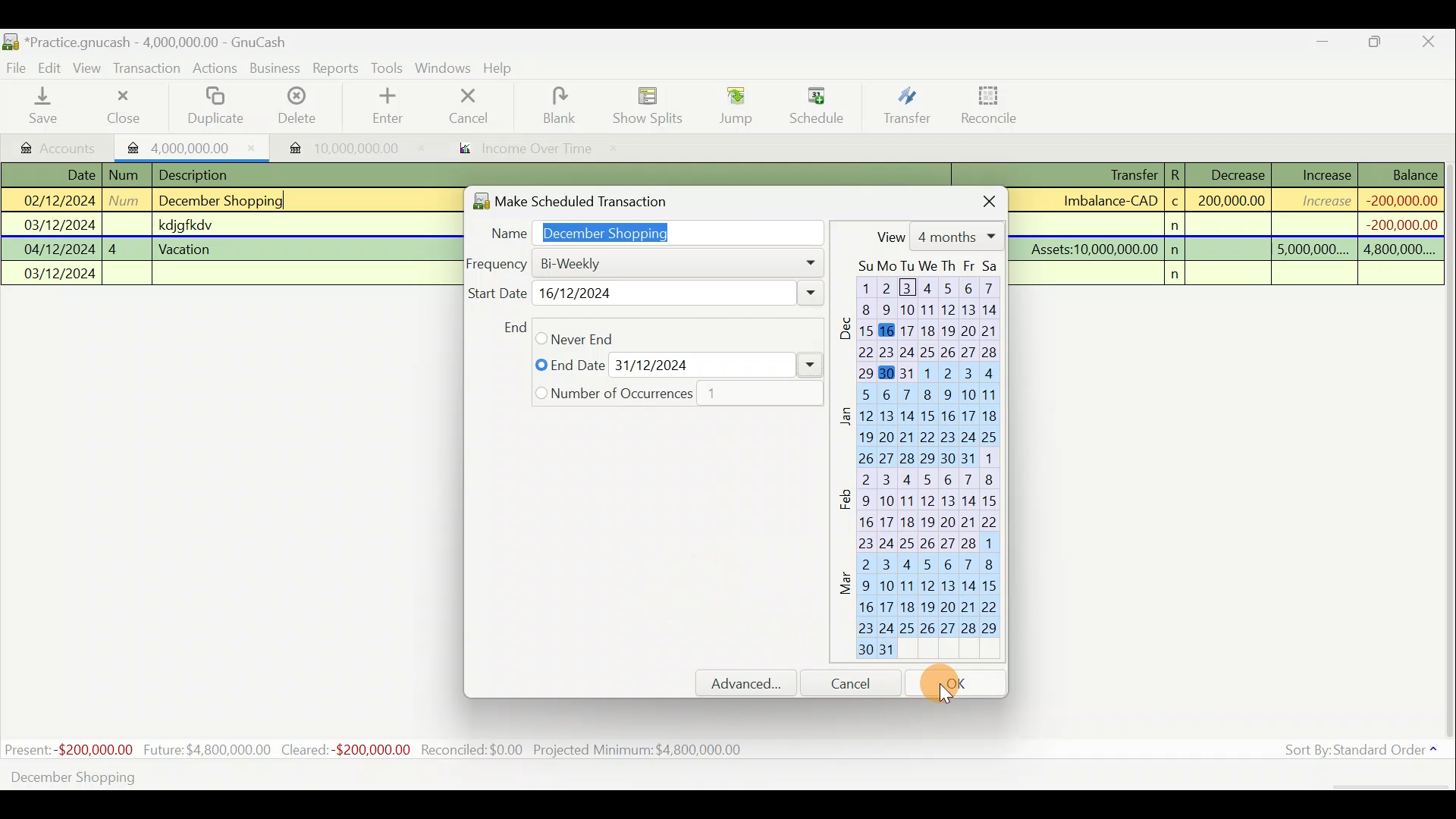  I want to click on Cancel, so click(469, 105).